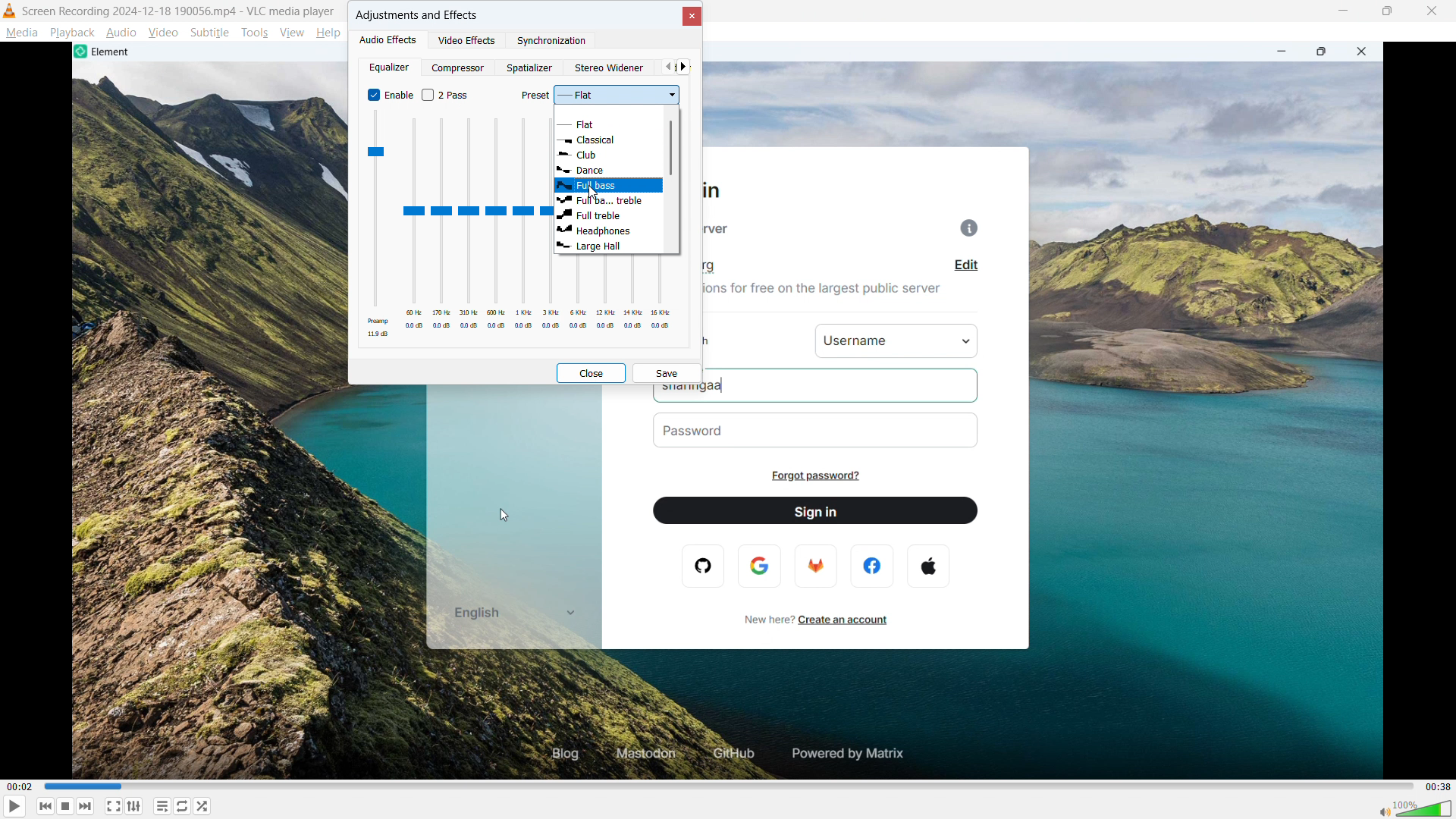 This screenshot has height=819, width=1456. What do you see at coordinates (163, 32) in the screenshot?
I see `Video ` at bounding box center [163, 32].